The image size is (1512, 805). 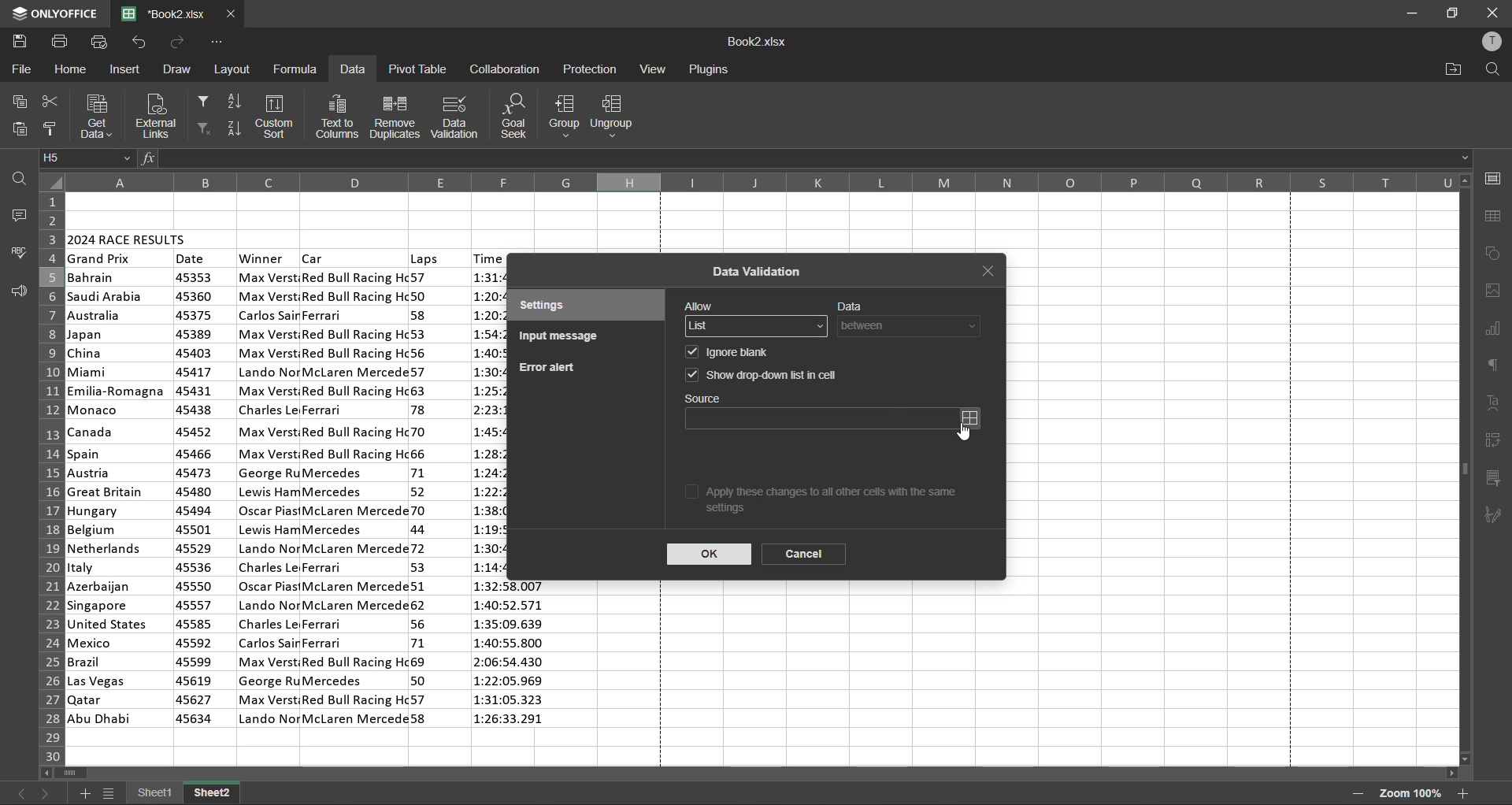 What do you see at coordinates (47, 104) in the screenshot?
I see `cut` at bounding box center [47, 104].